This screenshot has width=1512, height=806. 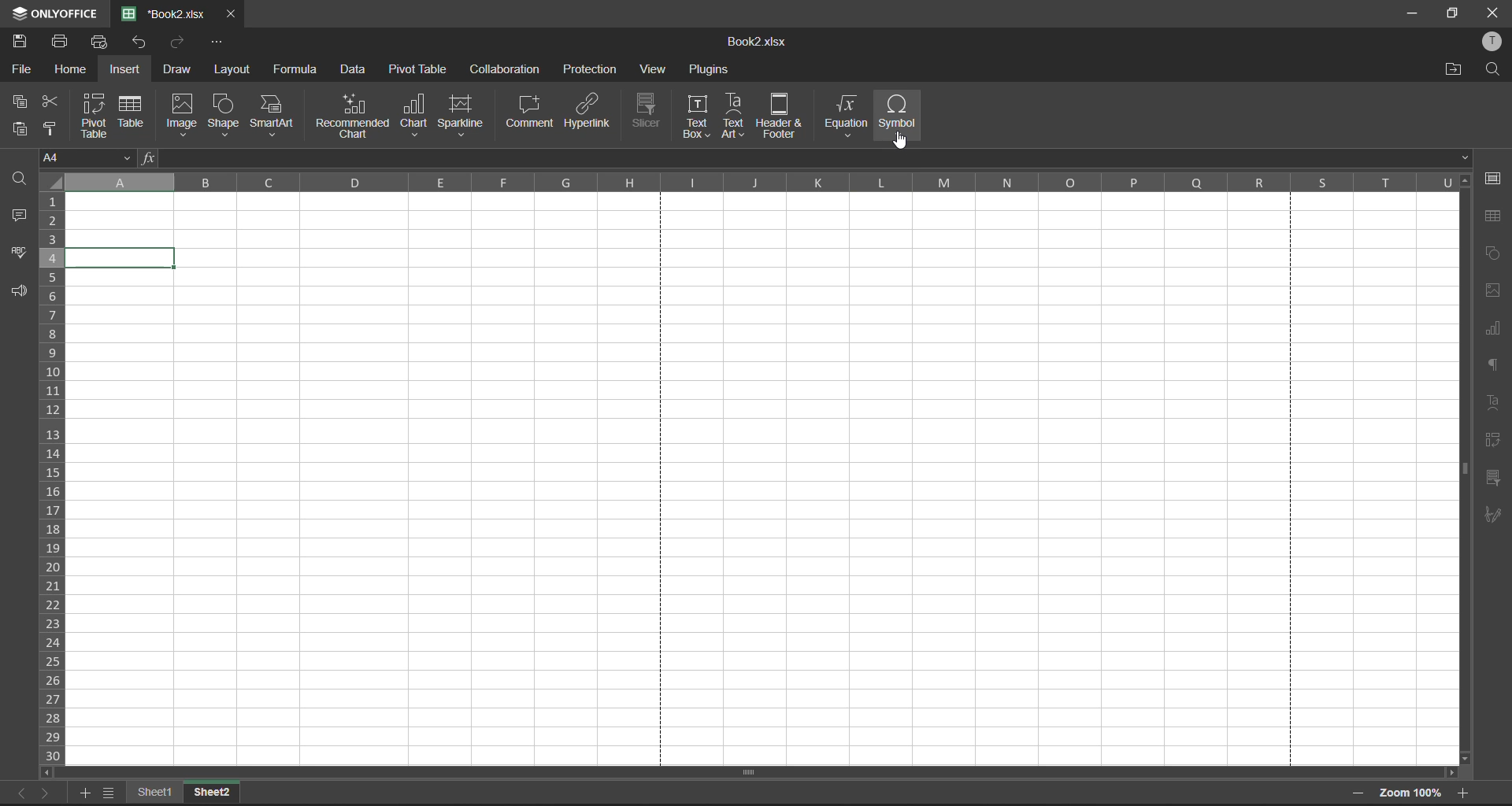 What do you see at coordinates (127, 70) in the screenshot?
I see `insert` at bounding box center [127, 70].